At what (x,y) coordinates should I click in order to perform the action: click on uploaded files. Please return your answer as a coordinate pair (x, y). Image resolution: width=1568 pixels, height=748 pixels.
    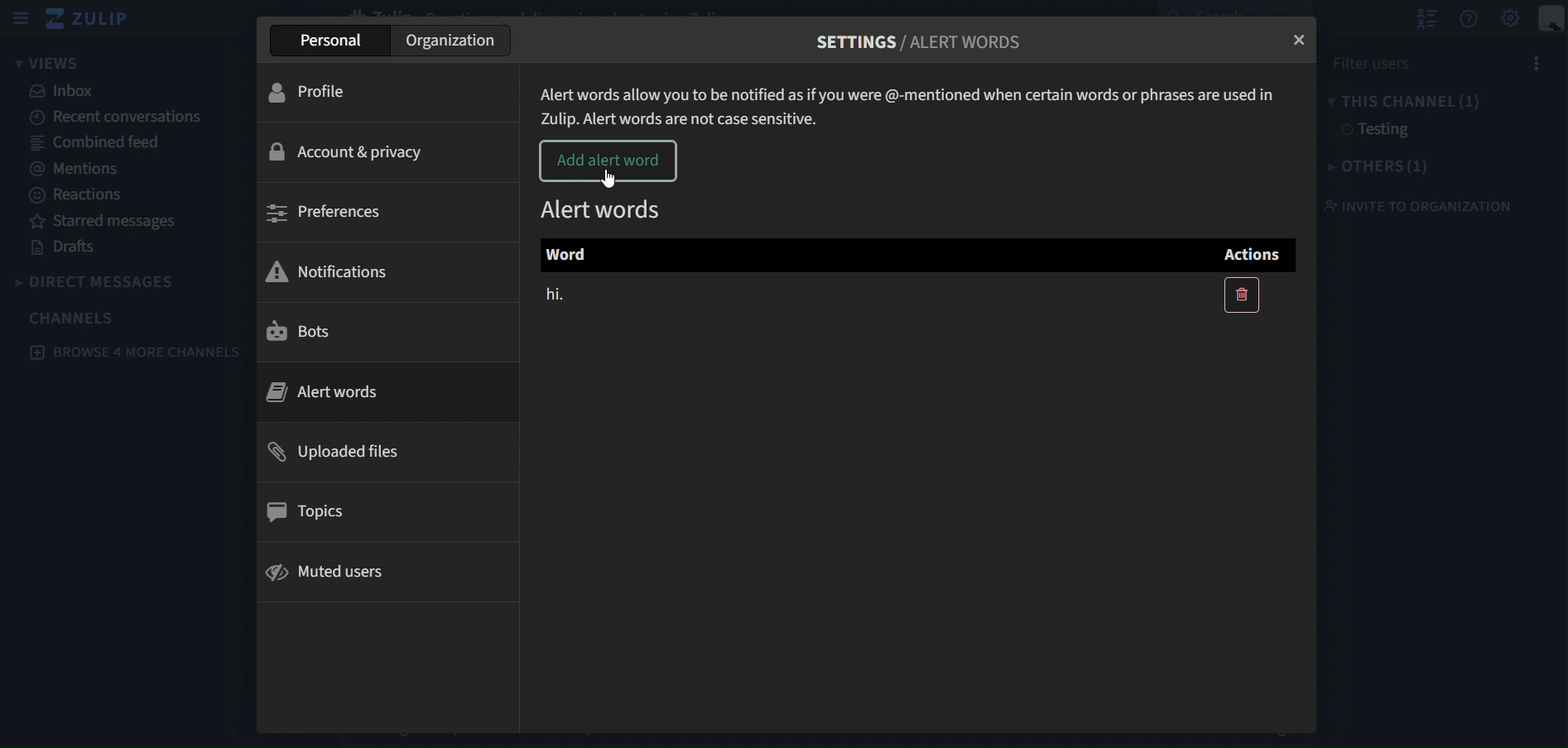
    Looking at the image, I should click on (339, 452).